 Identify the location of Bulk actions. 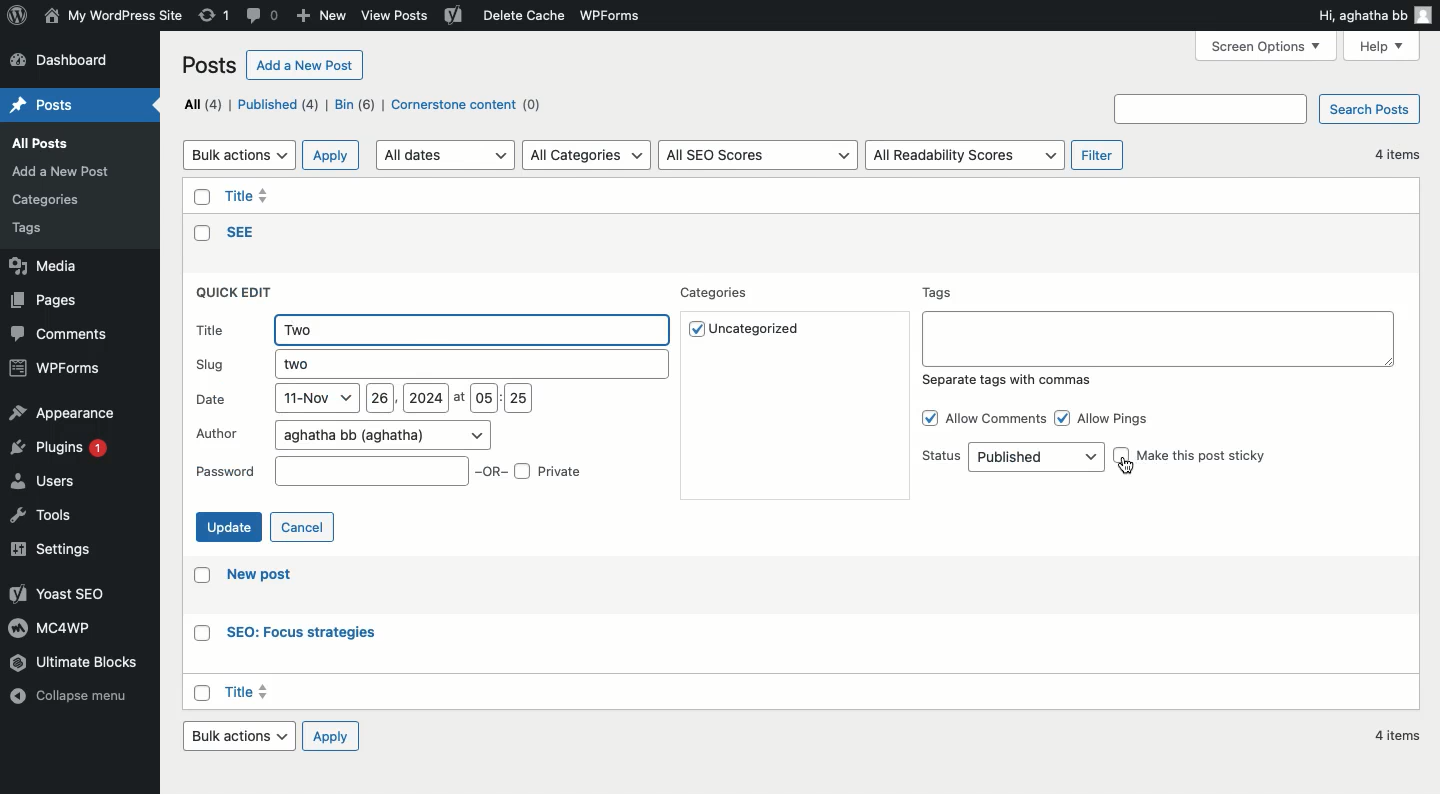
(239, 155).